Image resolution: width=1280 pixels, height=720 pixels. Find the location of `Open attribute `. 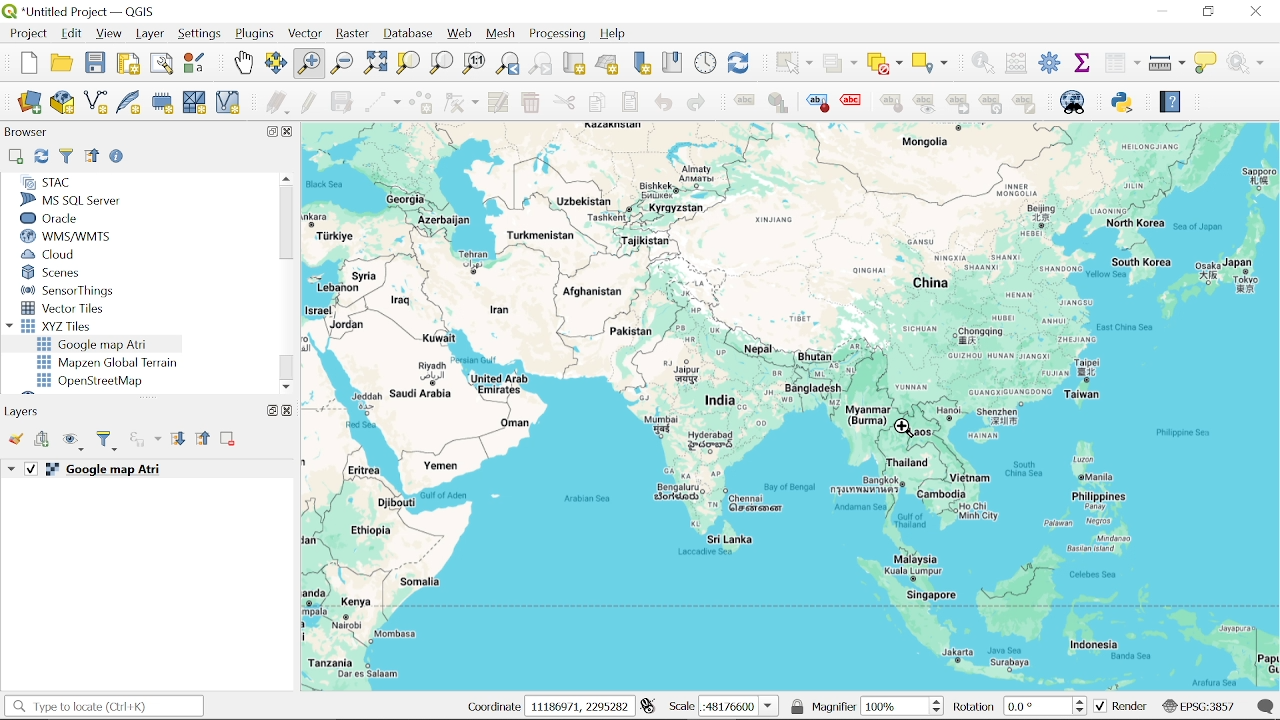

Open attribute  is located at coordinates (1122, 64).